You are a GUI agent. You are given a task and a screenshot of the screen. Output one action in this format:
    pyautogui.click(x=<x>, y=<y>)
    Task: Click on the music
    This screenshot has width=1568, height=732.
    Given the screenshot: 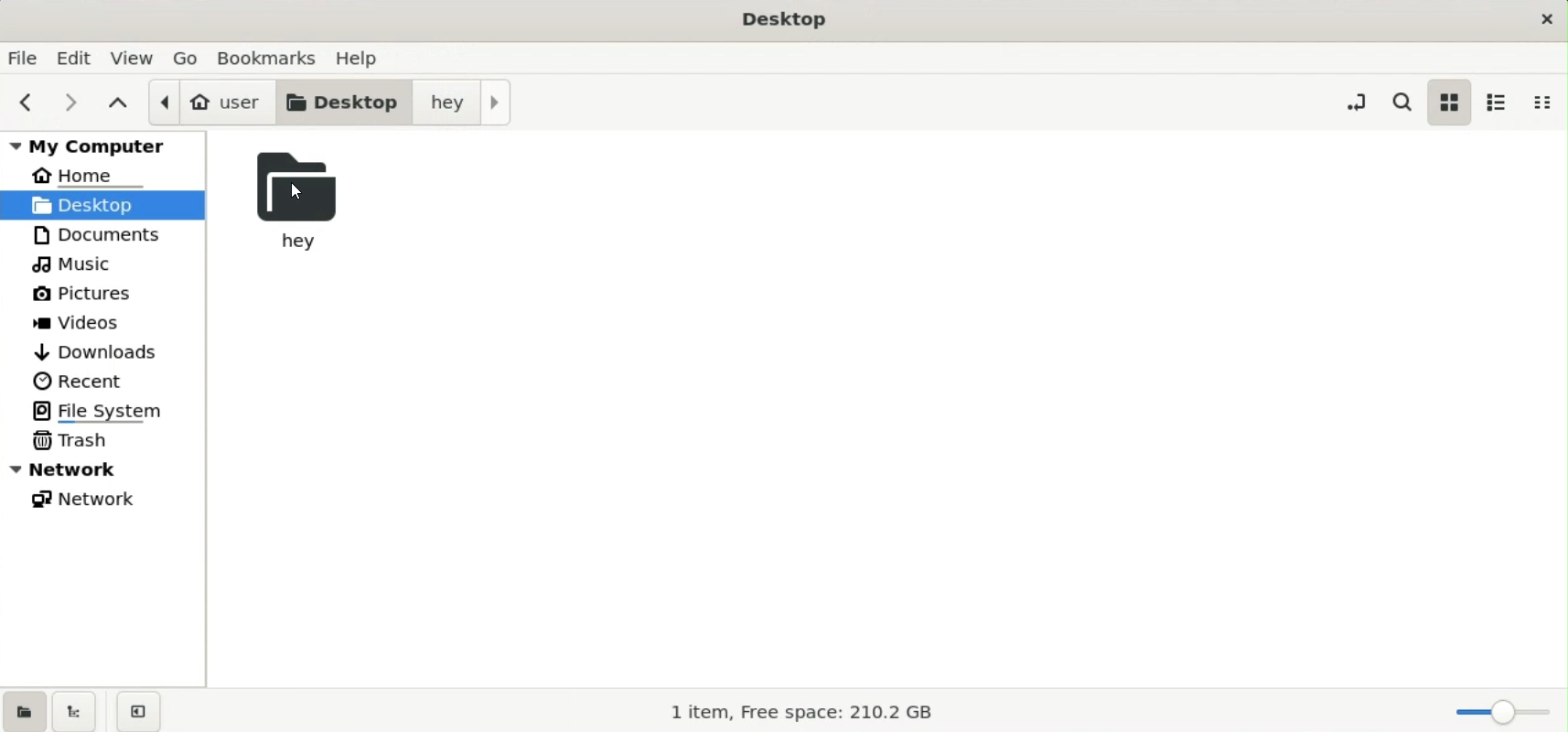 What is the action you would take?
    pyautogui.click(x=78, y=265)
    